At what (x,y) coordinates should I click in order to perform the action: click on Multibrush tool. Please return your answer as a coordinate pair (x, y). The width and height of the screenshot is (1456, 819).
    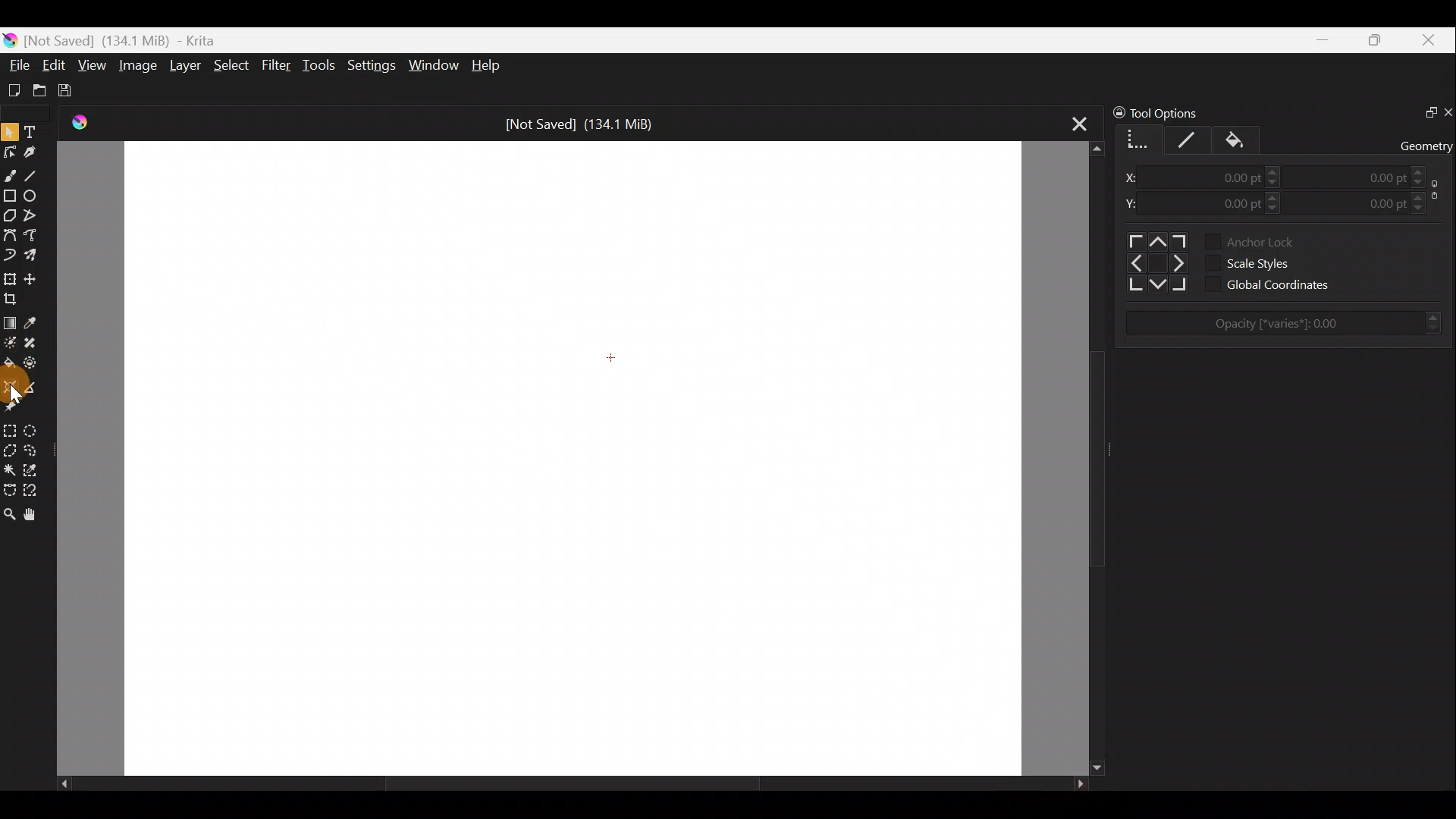
    Looking at the image, I should click on (33, 257).